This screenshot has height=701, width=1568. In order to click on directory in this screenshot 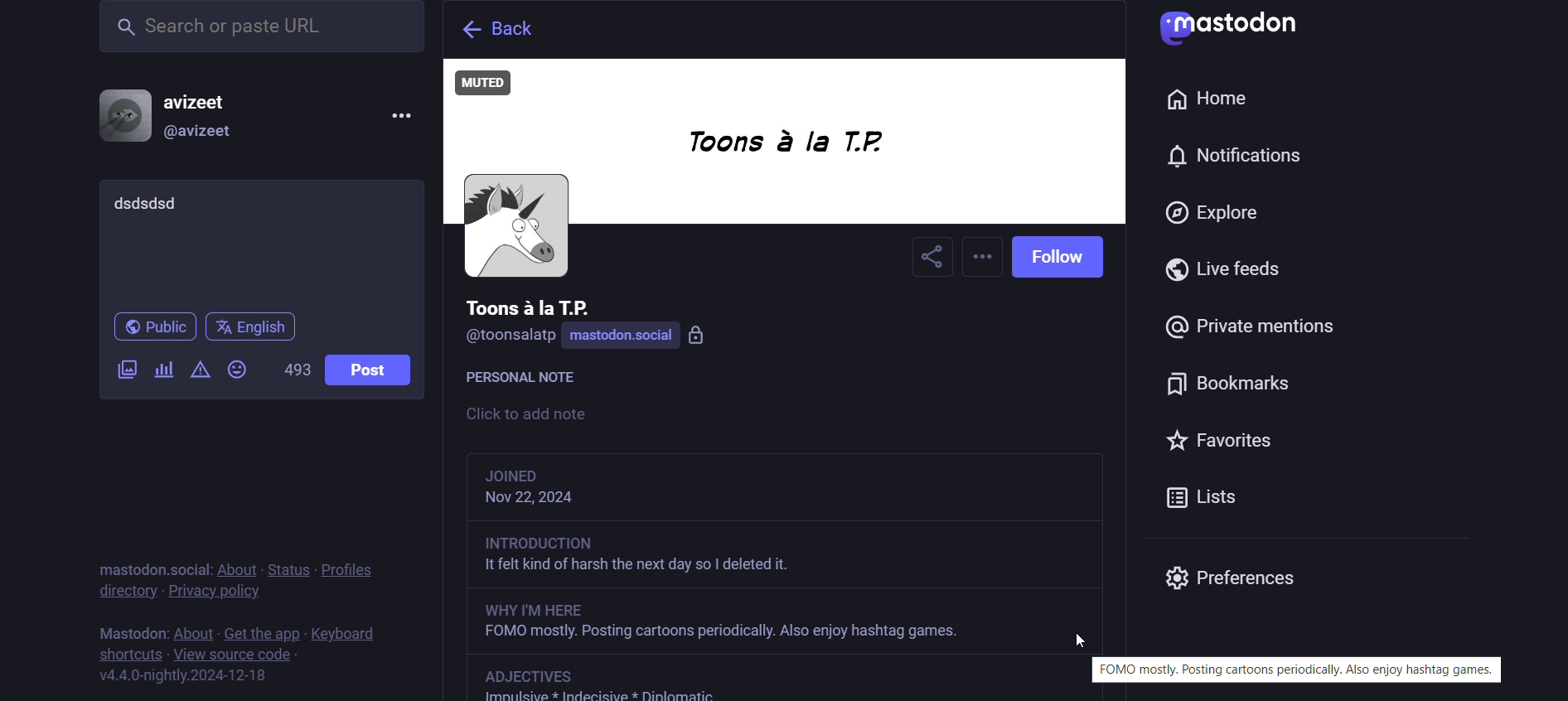, I will do `click(122, 594)`.